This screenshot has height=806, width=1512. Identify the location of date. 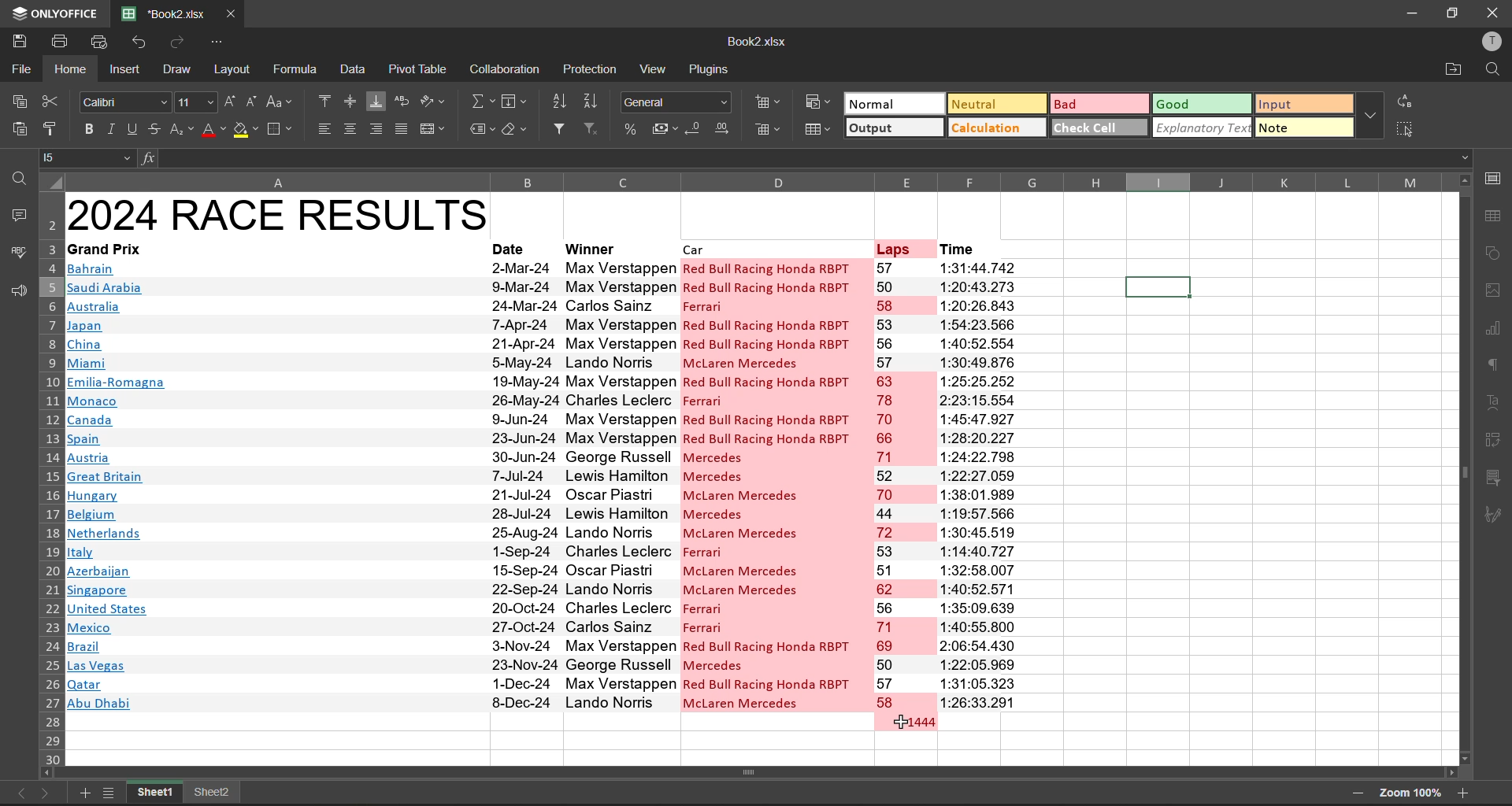
(510, 248).